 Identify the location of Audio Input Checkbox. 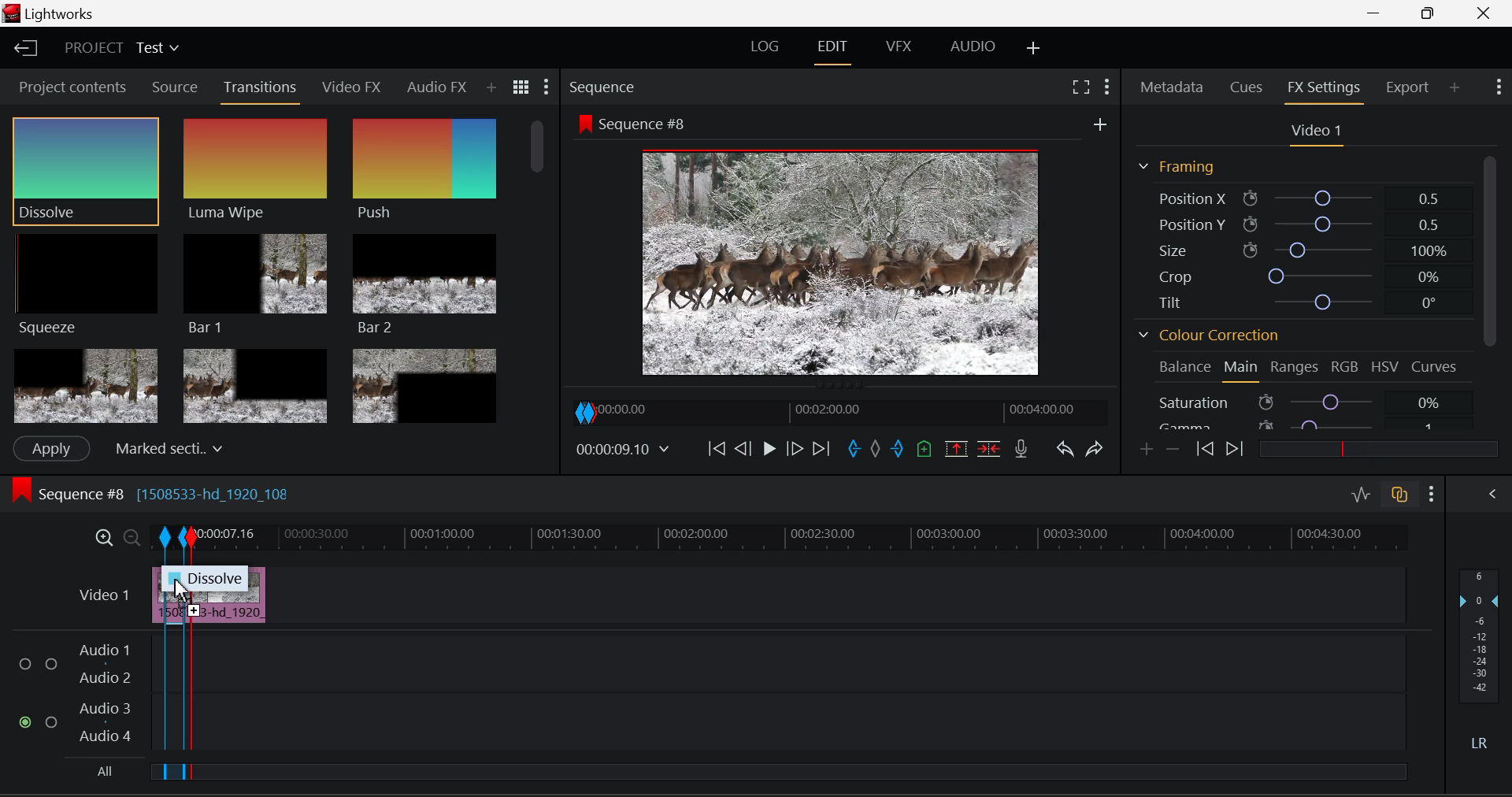
(27, 664).